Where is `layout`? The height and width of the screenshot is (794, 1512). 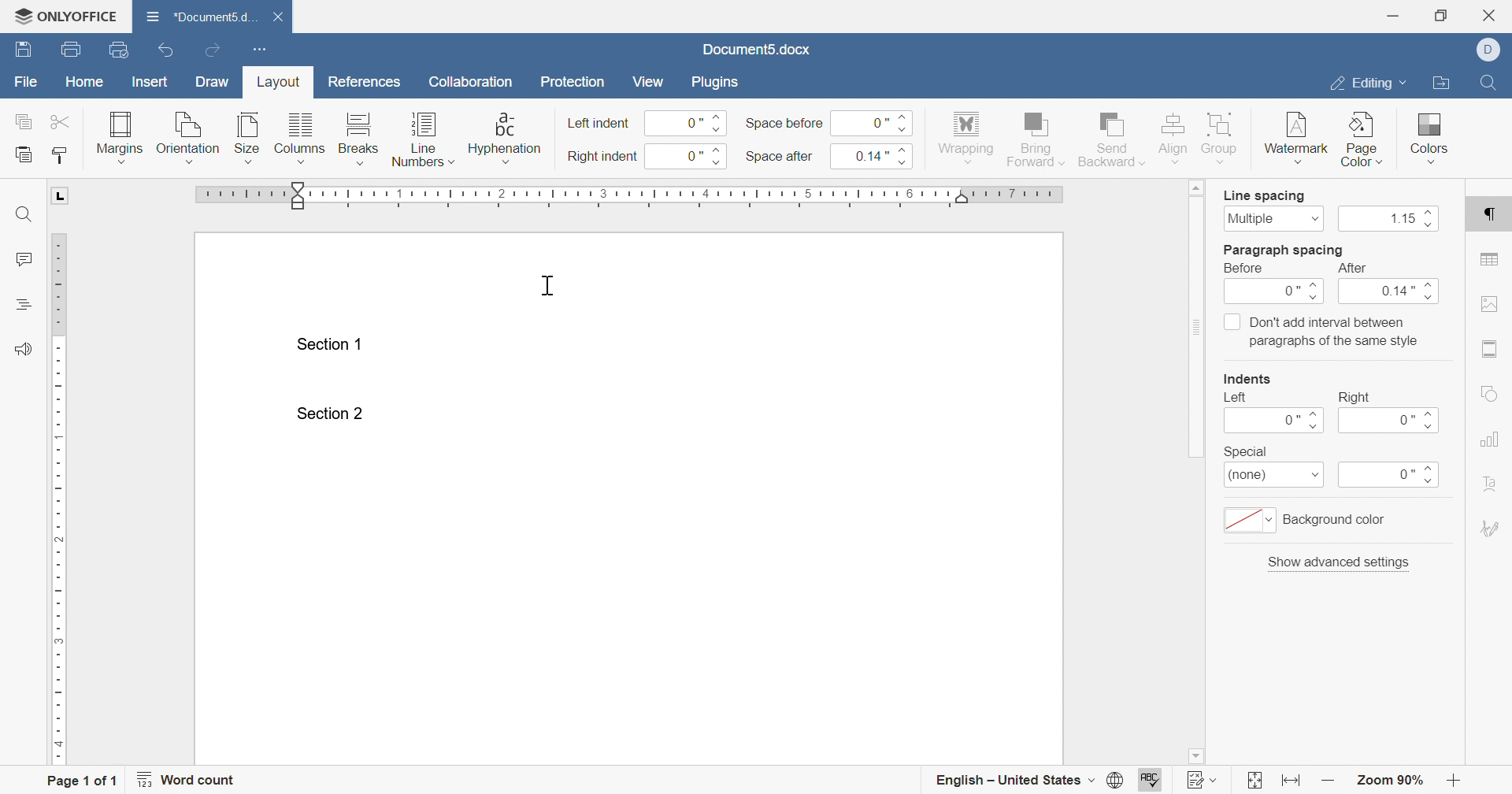
layout is located at coordinates (281, 84).